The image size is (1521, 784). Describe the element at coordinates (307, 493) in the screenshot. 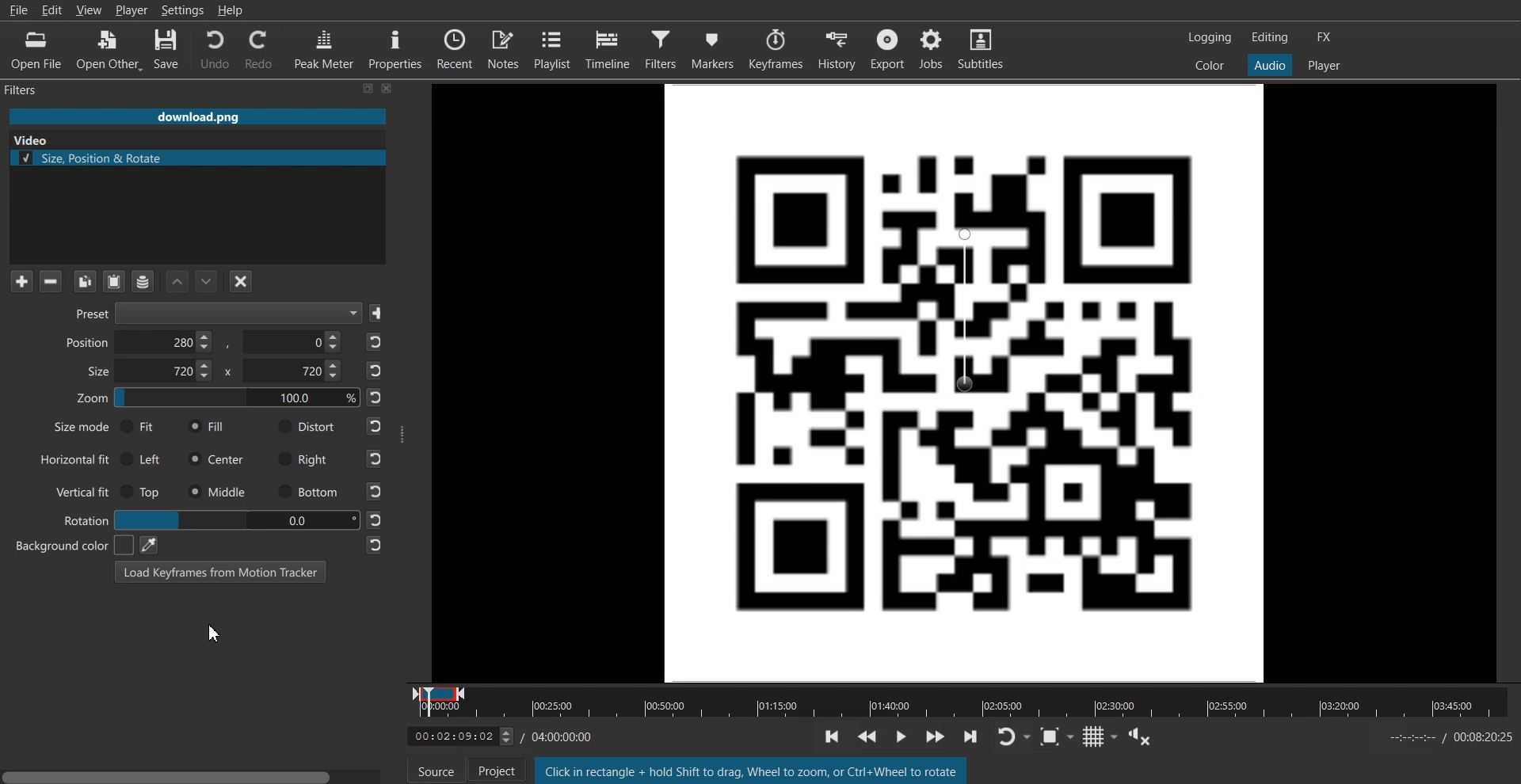

I see `Bottom` at that location.